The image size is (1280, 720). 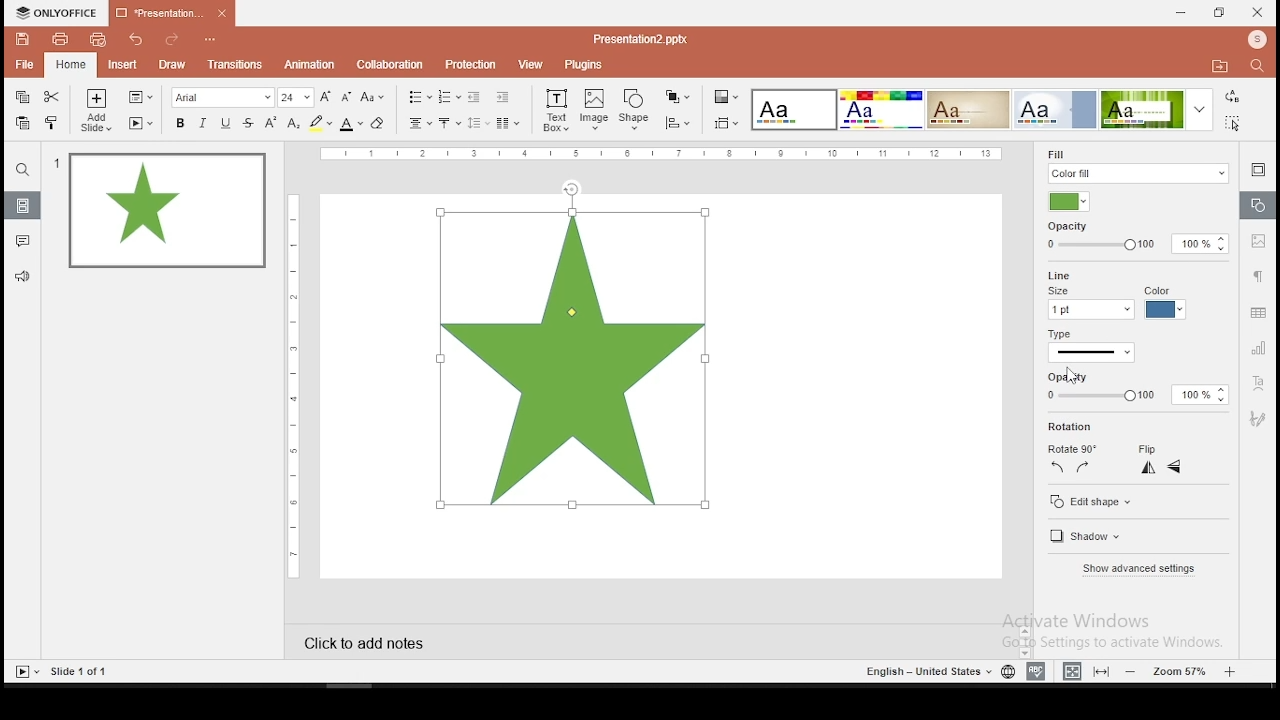 I want to click on presentation2.pptx, so click(x=637, y=40).